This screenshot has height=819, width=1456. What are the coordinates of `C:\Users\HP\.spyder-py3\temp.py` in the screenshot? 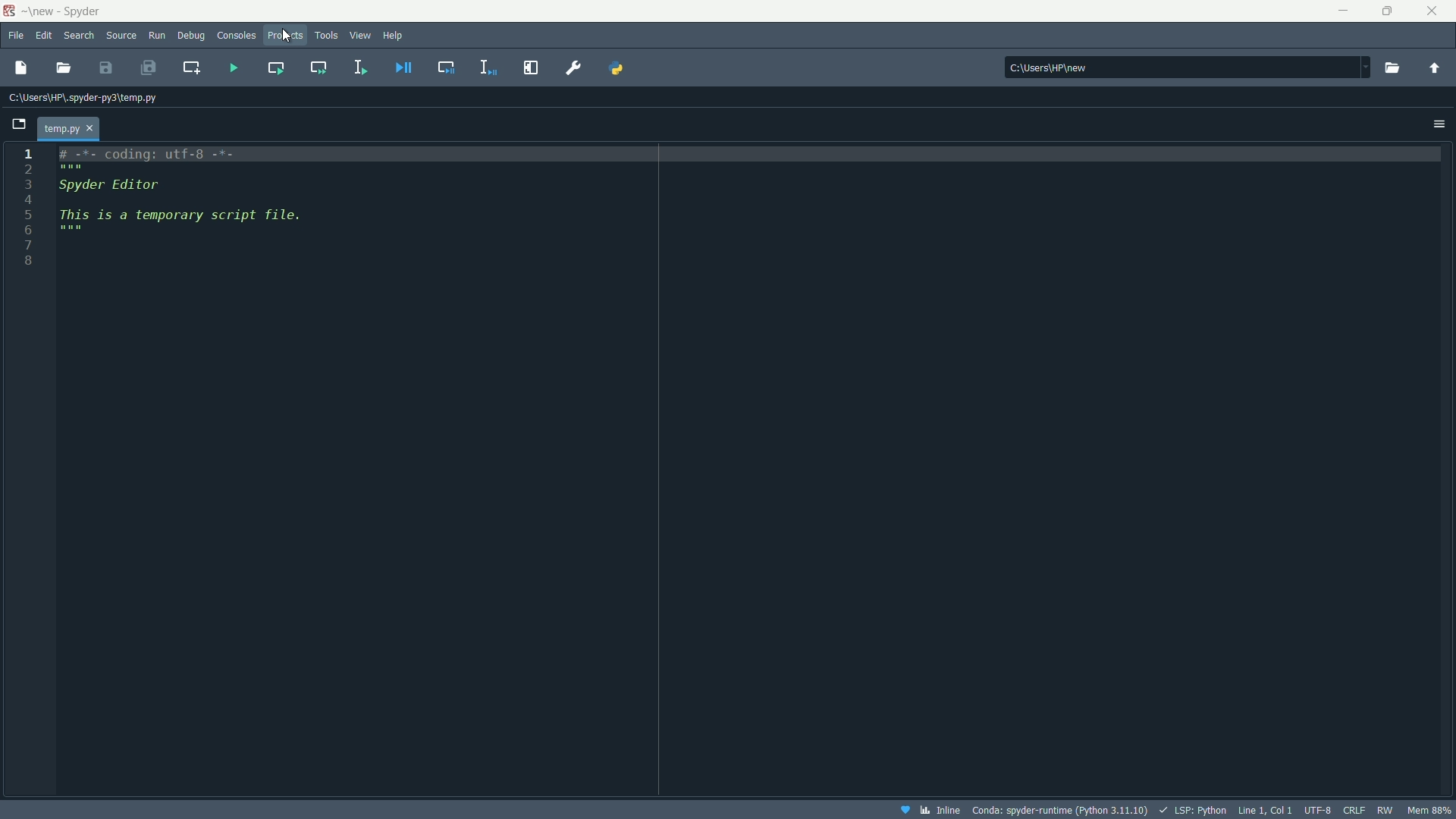 It's located at (85, 96).